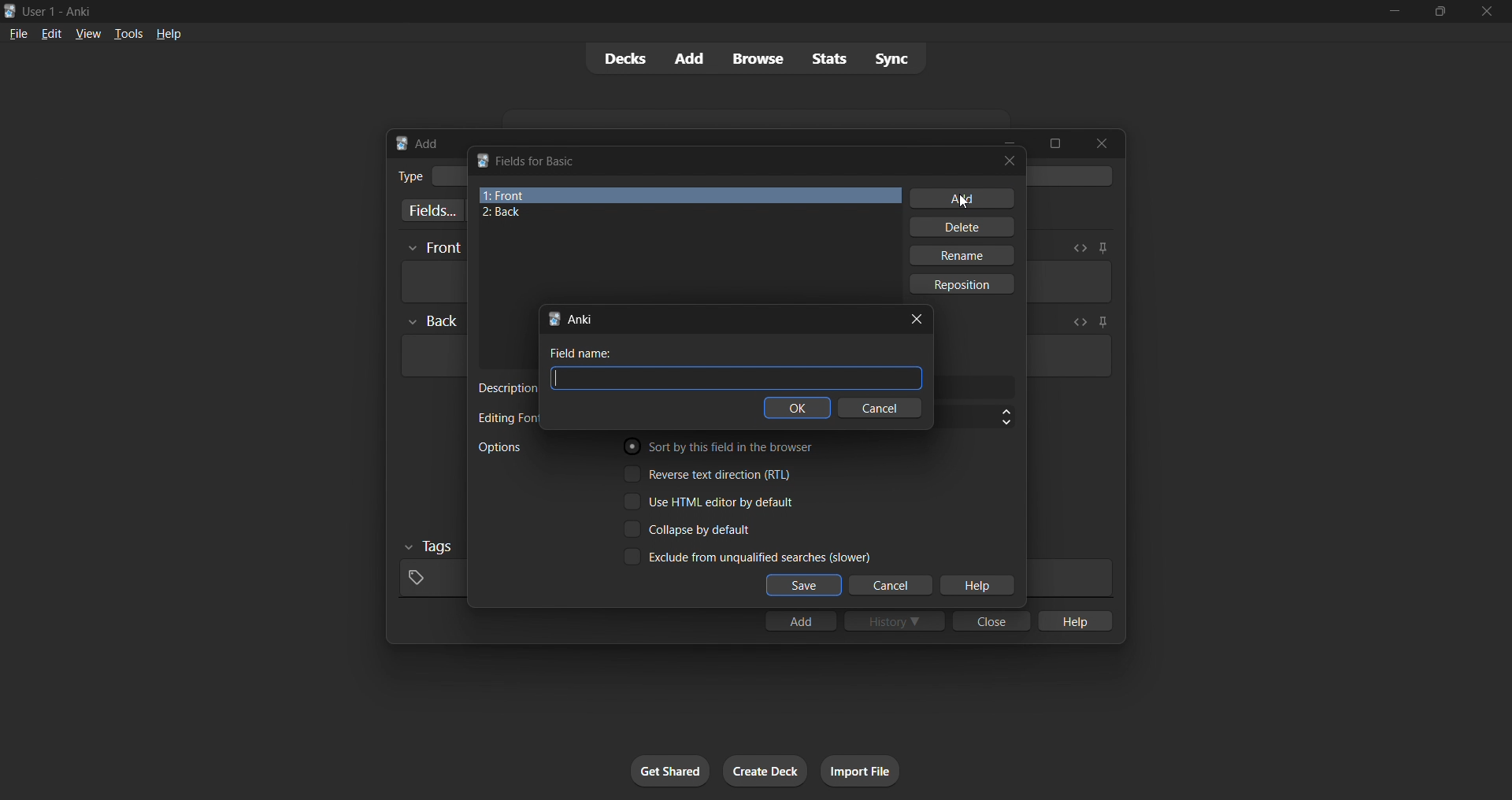  Describe the element at coordinates (975, 417) in the screenshot. I see `field font size` at that location.